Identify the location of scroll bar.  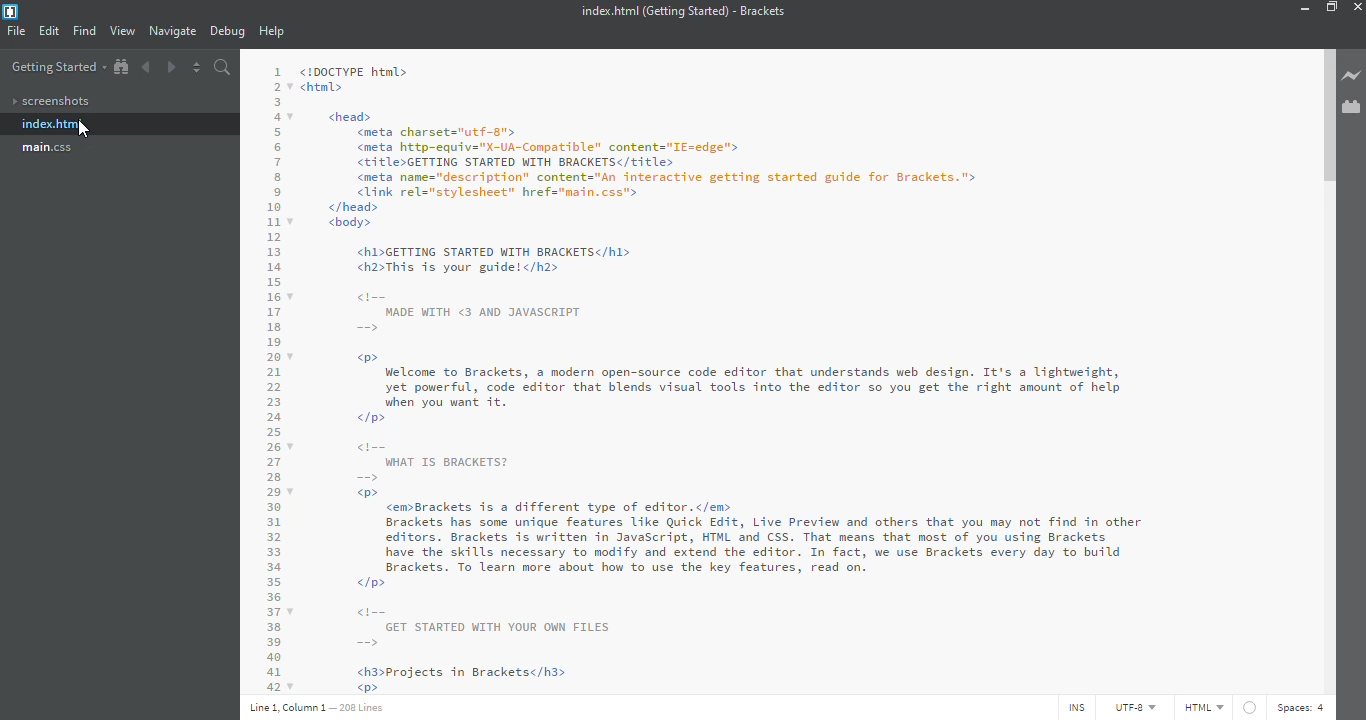
(1326, 119).